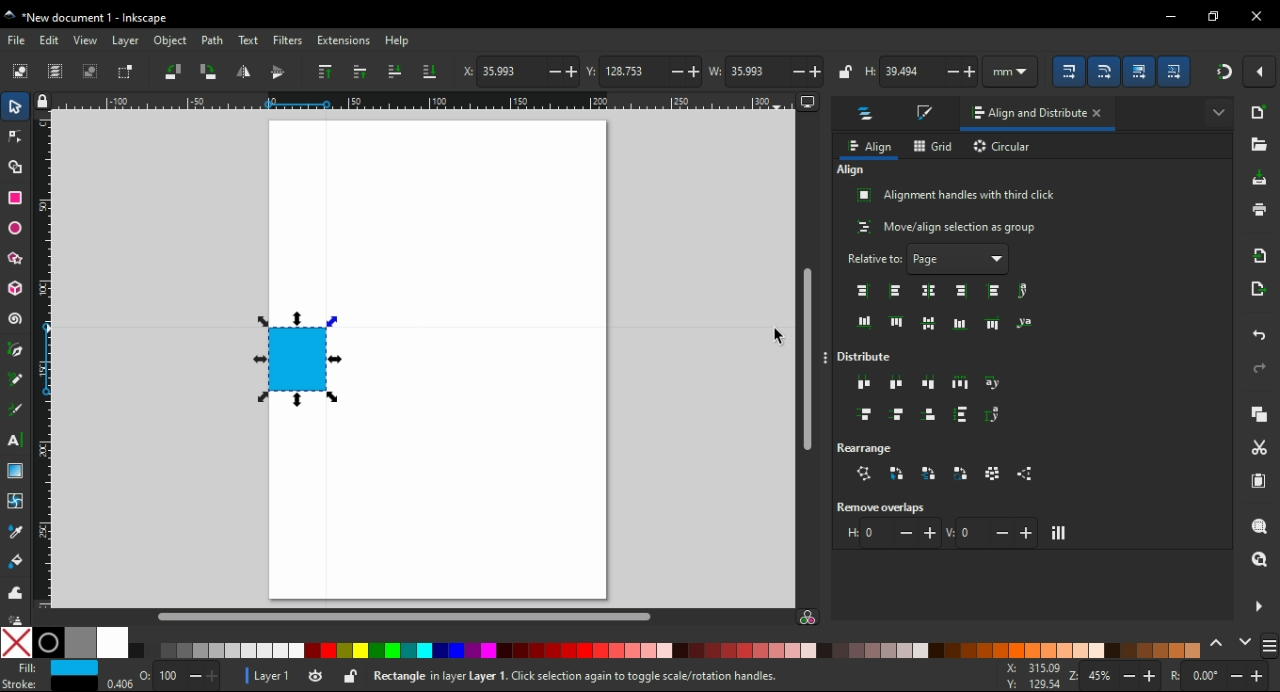 The width and height of the screenshot is (1280, 692). Describe the element at coordinates (1258, 335) in the screenshot. I see `undo` at that location.